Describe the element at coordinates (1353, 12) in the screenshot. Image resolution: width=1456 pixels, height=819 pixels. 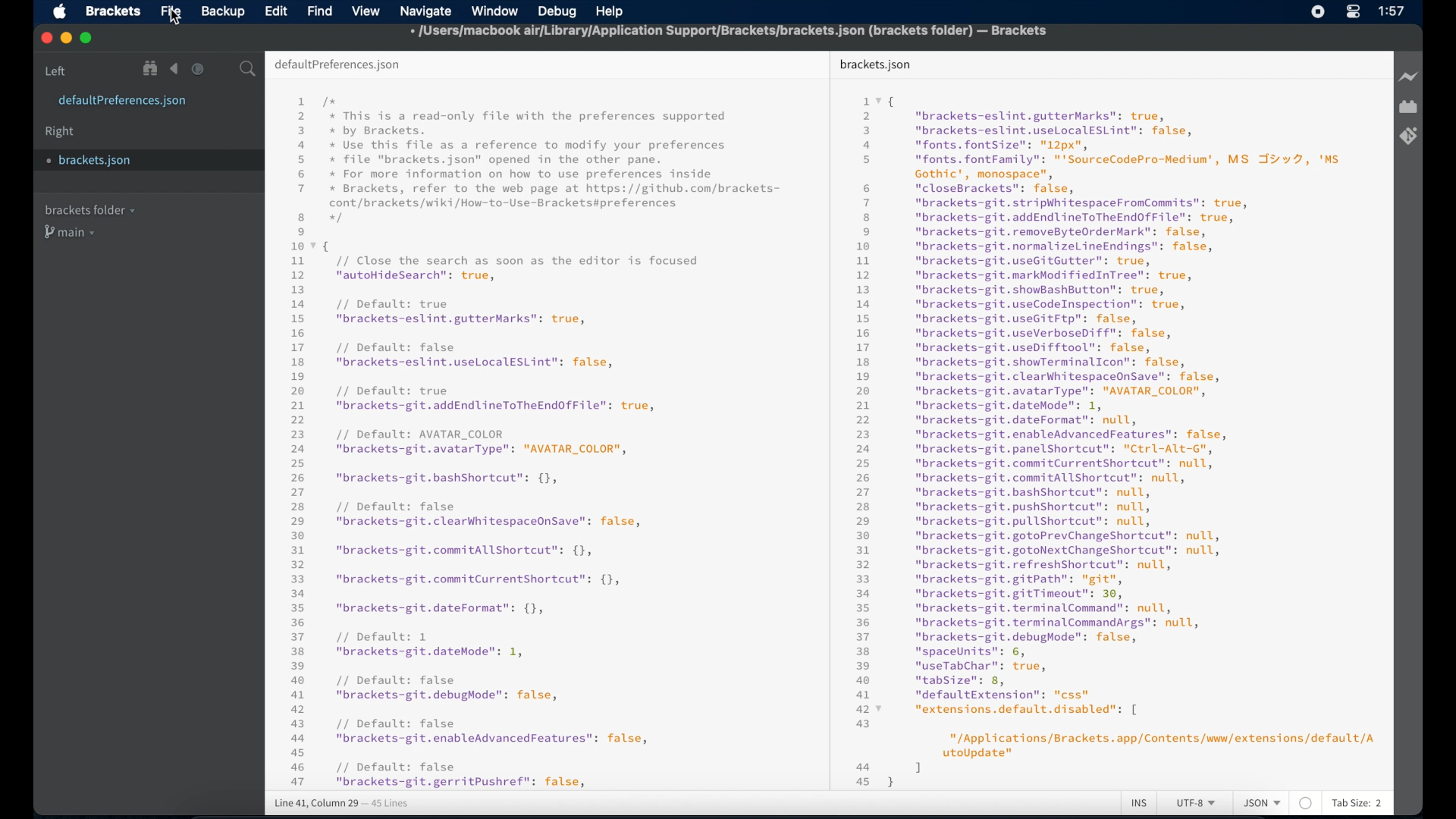
I see `control center` at that location.